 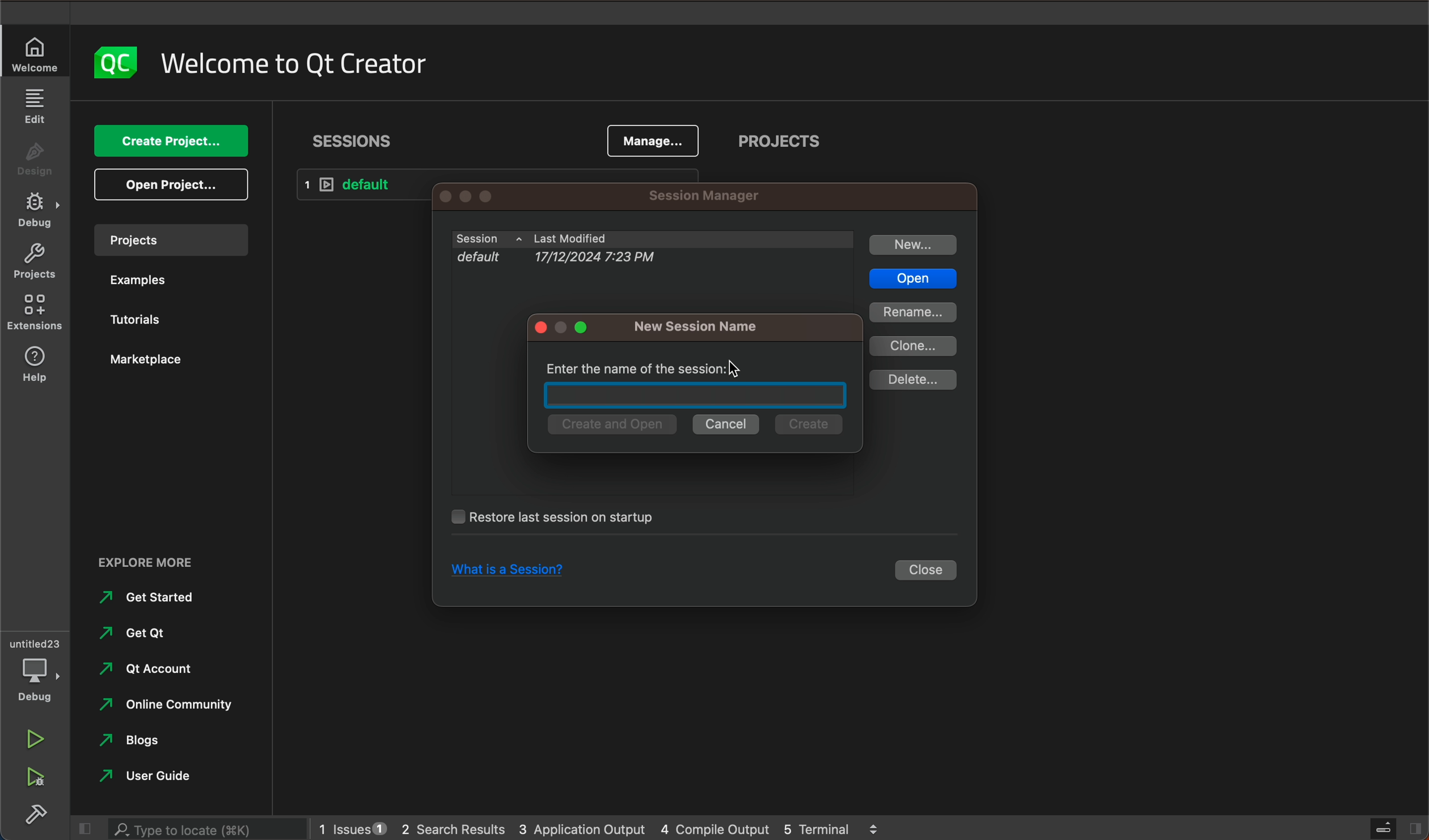 What do you see at coordinates (142, 322) in the screenshot?
I see `tutorials` at bounding box center [142, 322].